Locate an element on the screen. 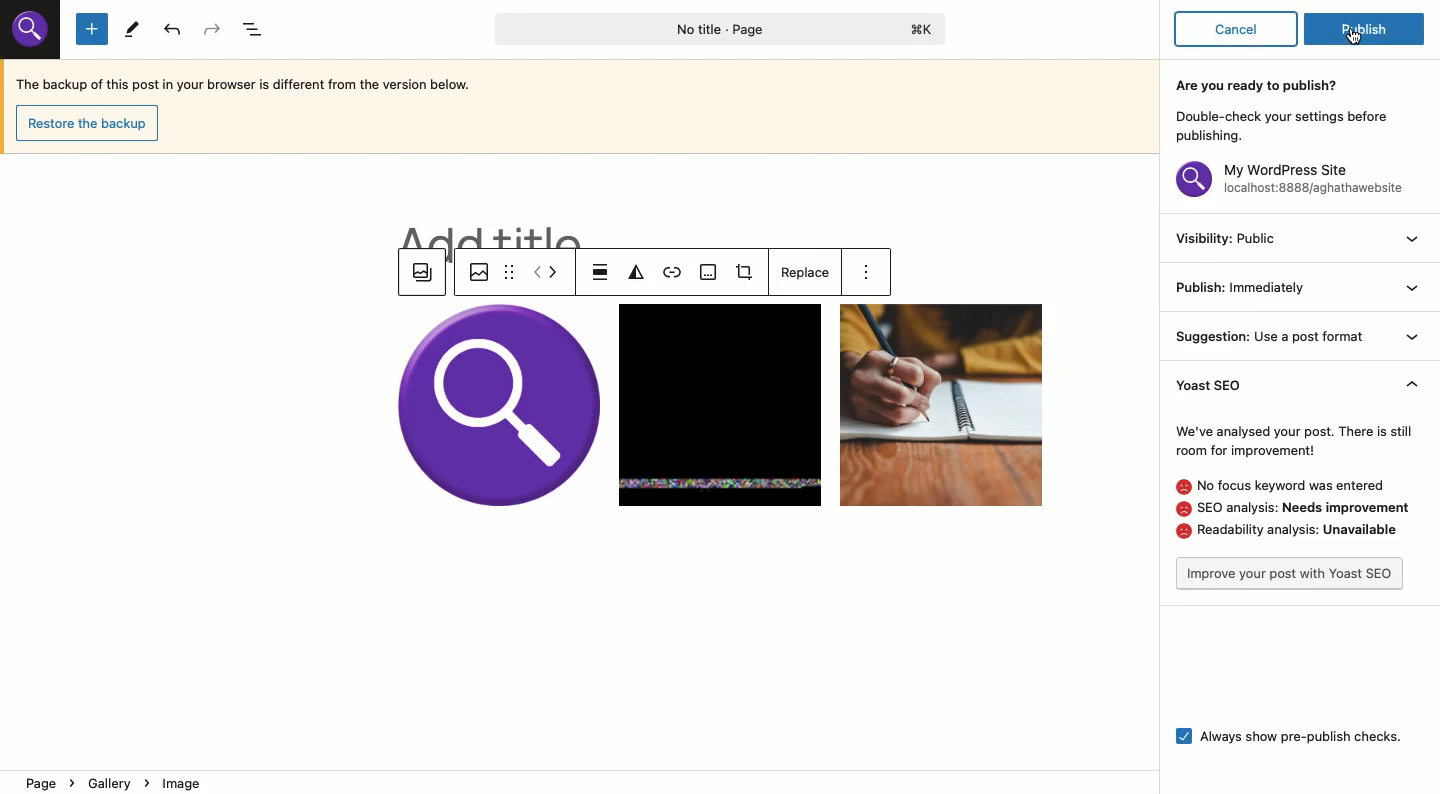 Image resolution: width=1440 pixels, height=794 pixels. Tools is located at coordinates (129, 28).